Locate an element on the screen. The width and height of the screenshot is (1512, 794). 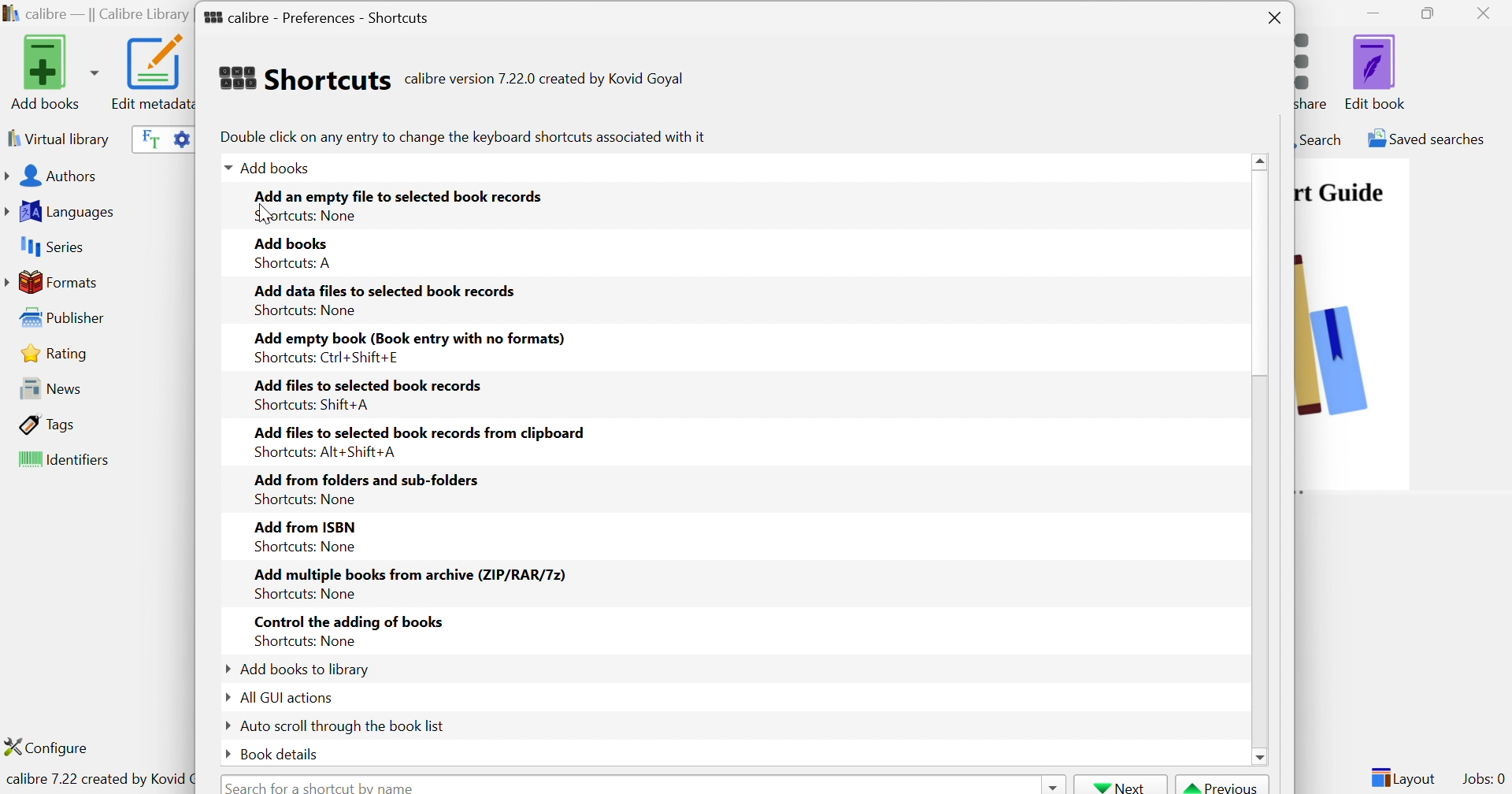
Shortcuts: Ctrl+Shift+E is located at coordinates (326, 358).